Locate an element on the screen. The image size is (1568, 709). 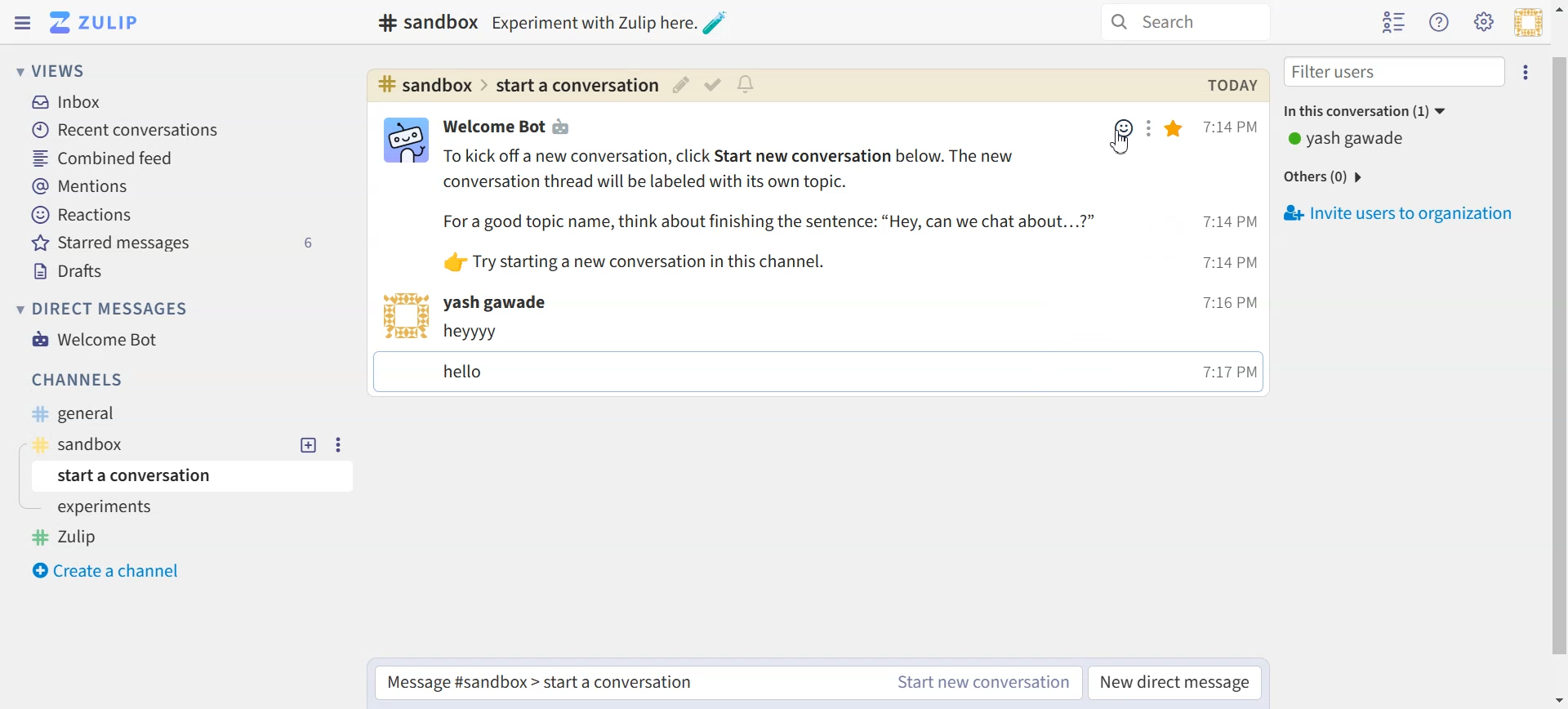
Welcome Bot is located at coordinates (96, 339).